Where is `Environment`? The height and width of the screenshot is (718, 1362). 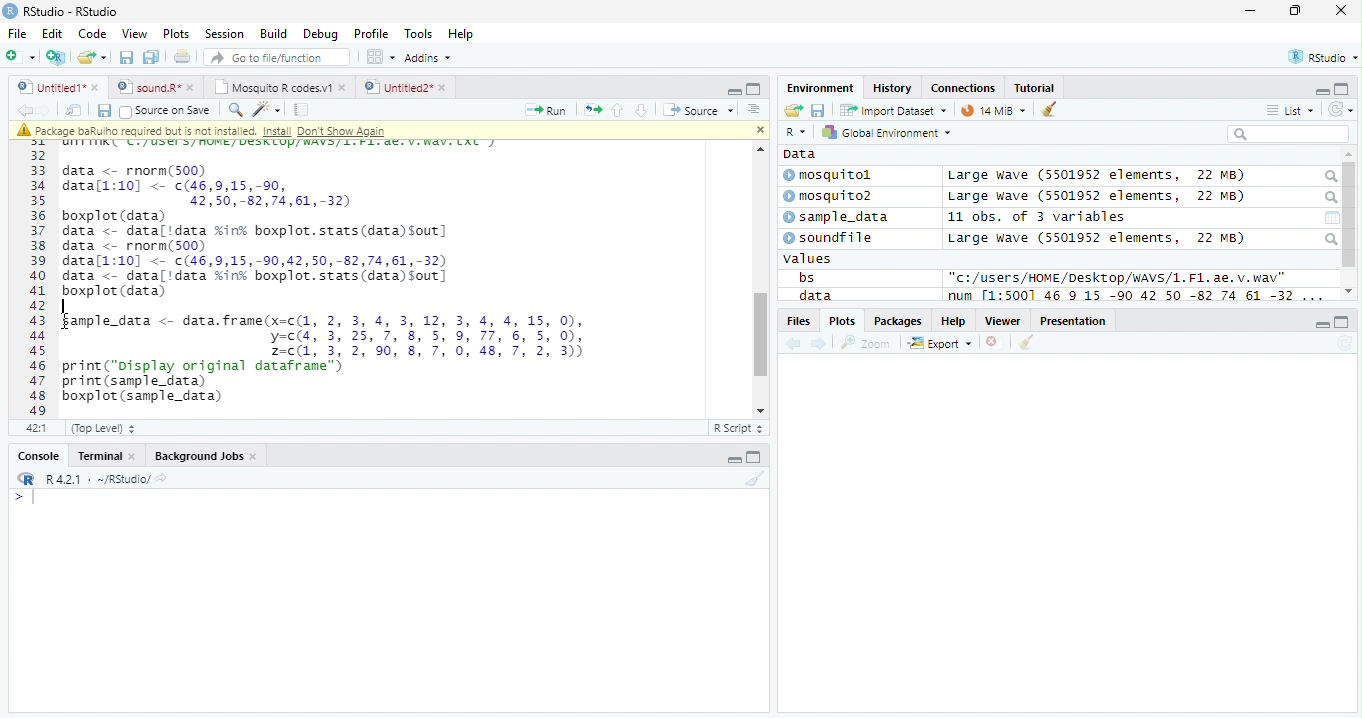
Environment is located at coordinates (821, 88).